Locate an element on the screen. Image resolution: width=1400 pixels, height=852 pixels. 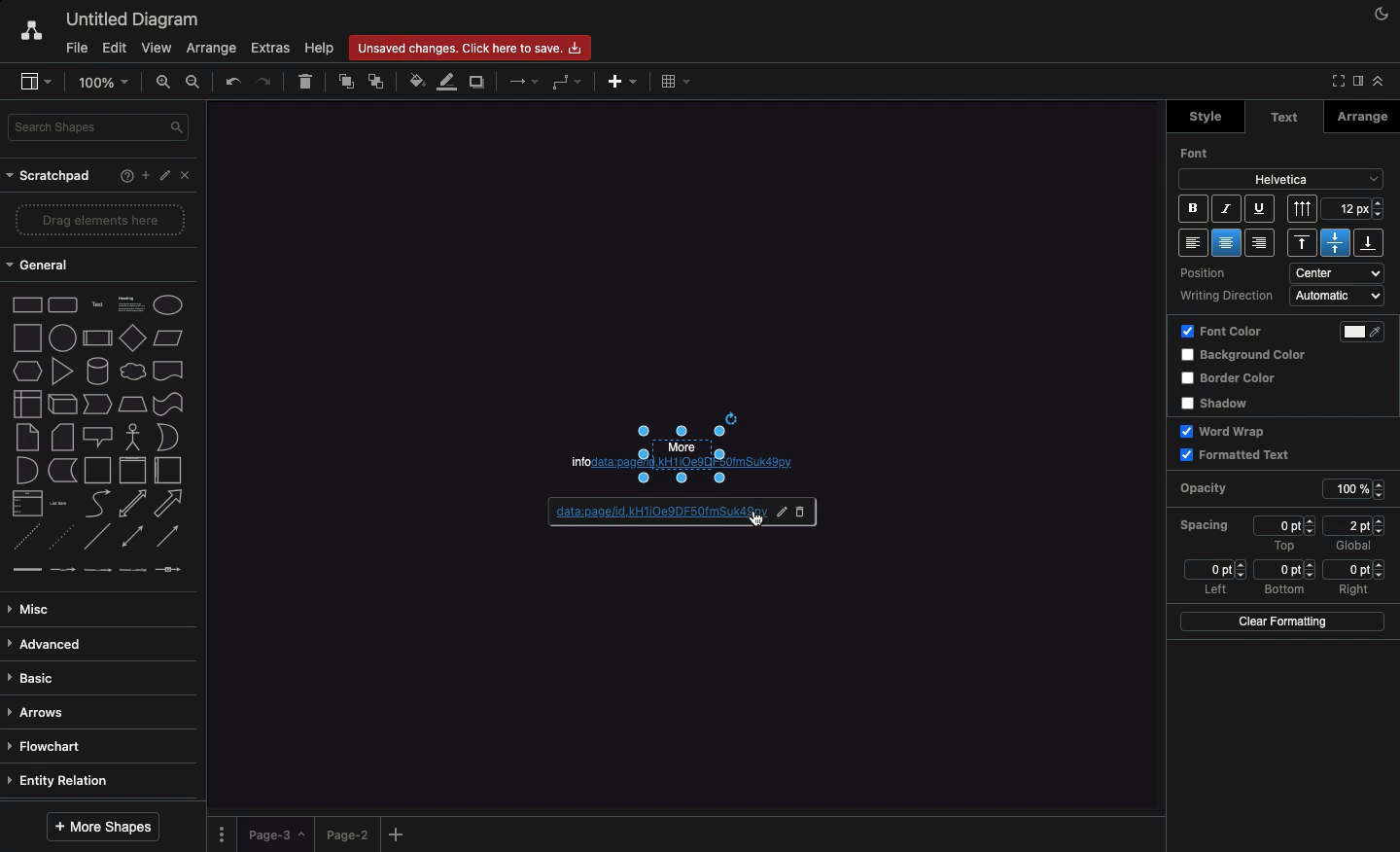
Edit is located at coordinates (166, 176).